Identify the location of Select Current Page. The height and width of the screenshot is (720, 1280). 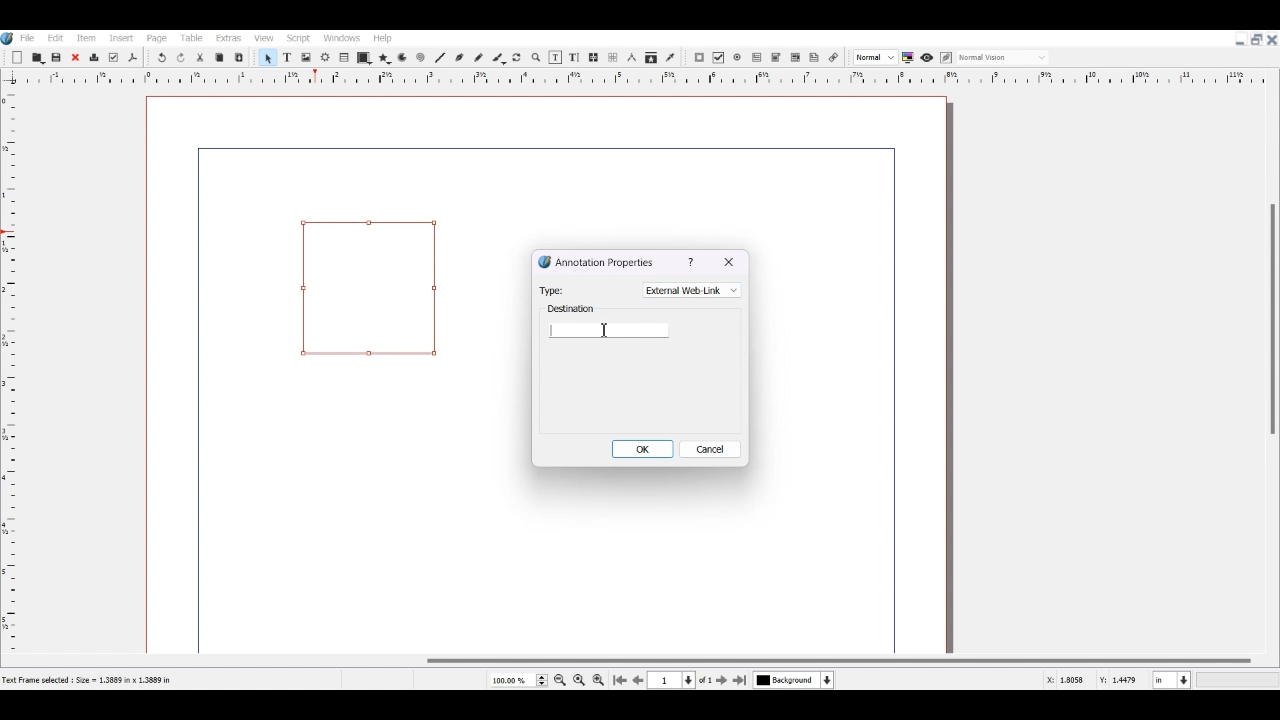
(518, 680).